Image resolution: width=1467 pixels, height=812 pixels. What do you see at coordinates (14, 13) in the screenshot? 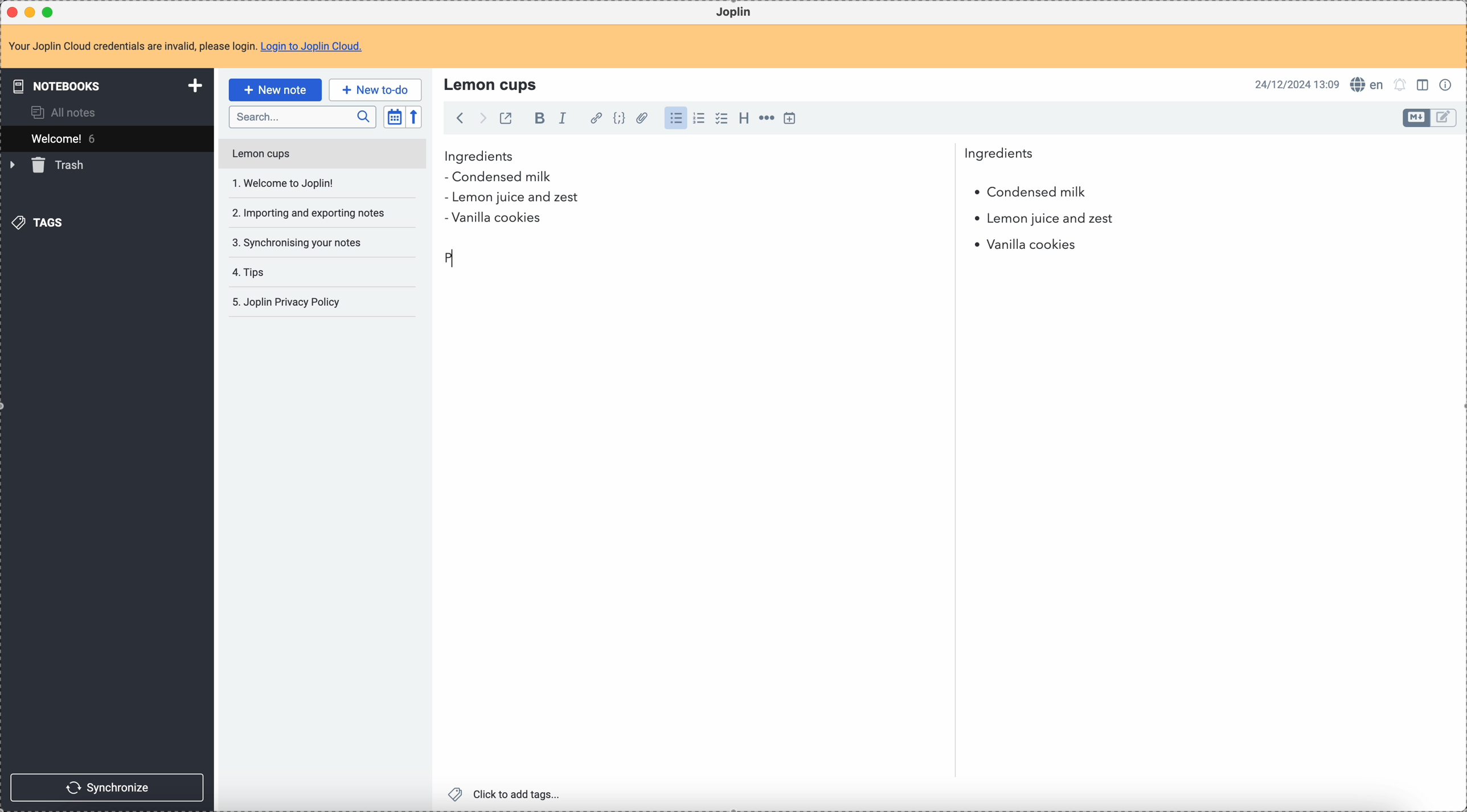
I see `close` at bounding box center [14, 13].